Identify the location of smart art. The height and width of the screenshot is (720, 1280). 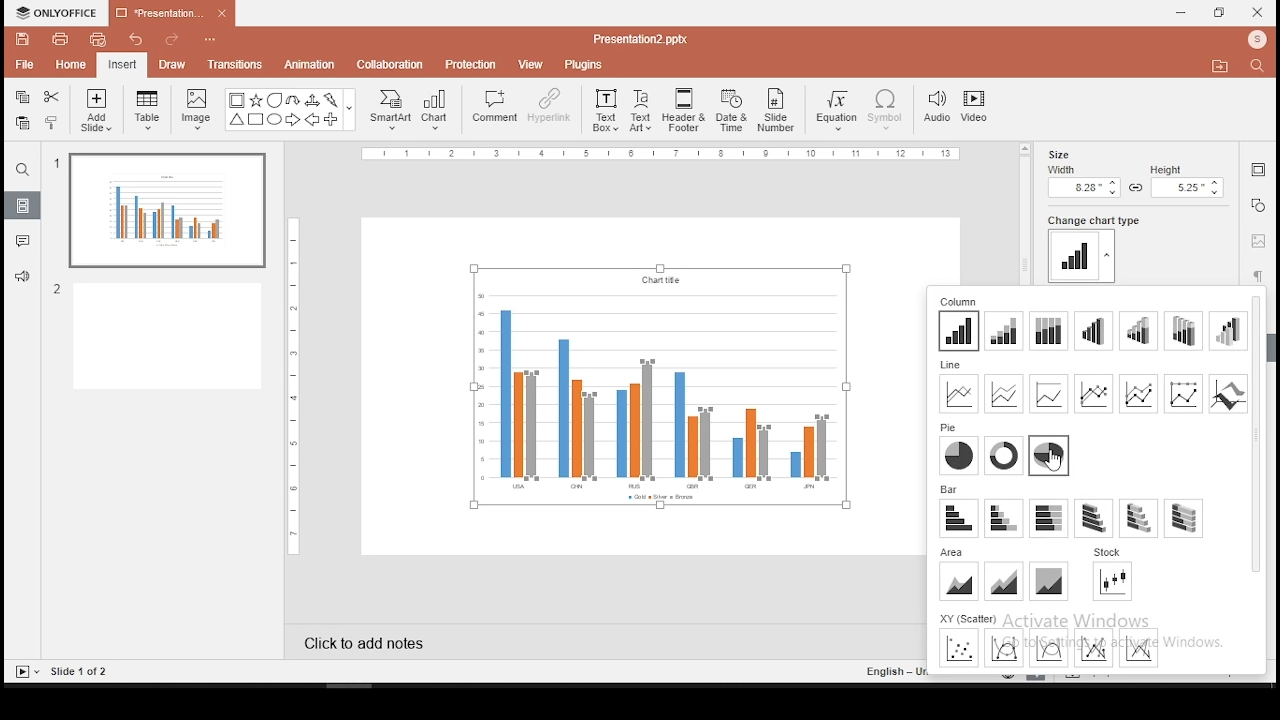
(392, 110).